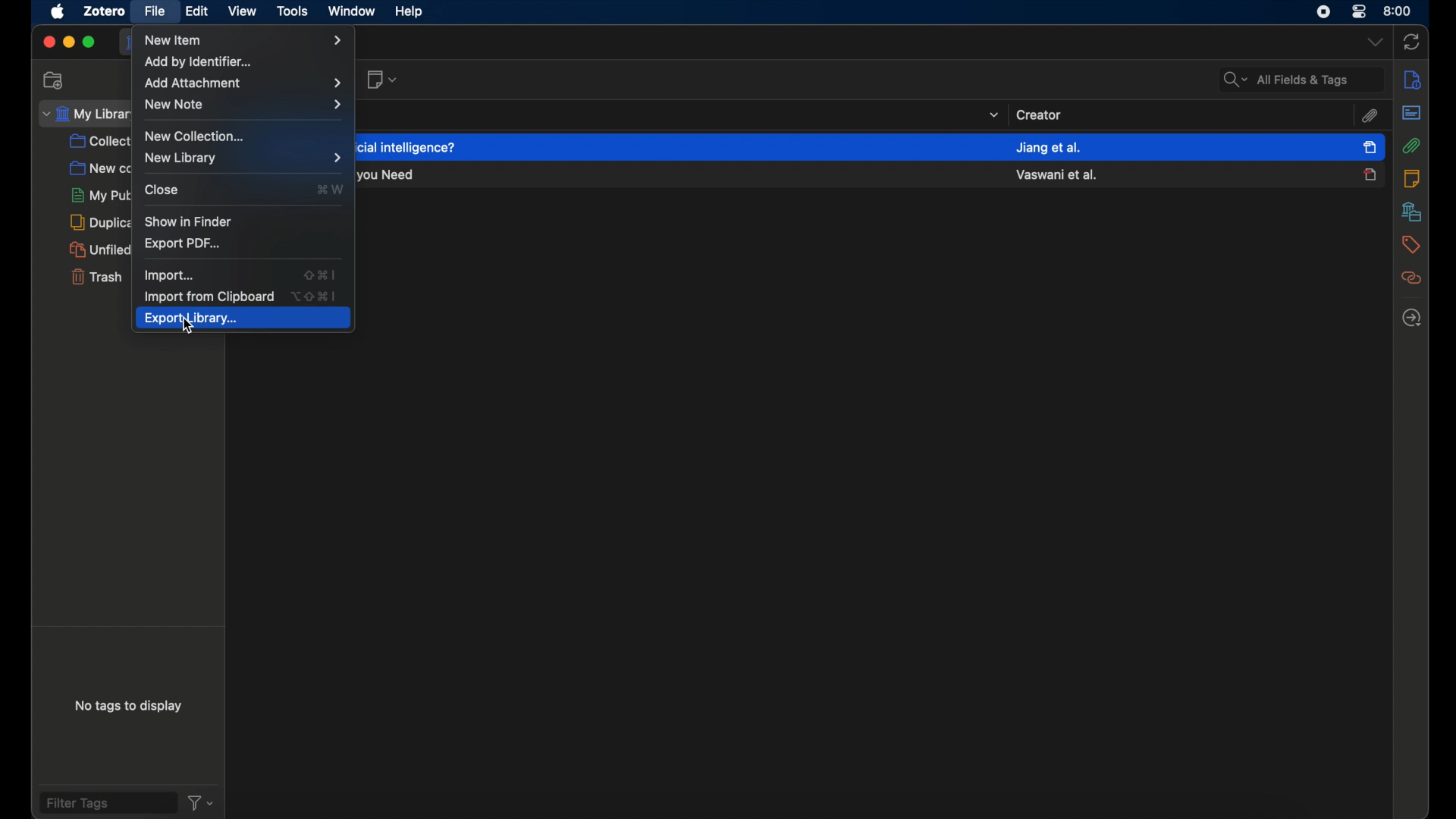  I want to click on export library, so click(243, 319).